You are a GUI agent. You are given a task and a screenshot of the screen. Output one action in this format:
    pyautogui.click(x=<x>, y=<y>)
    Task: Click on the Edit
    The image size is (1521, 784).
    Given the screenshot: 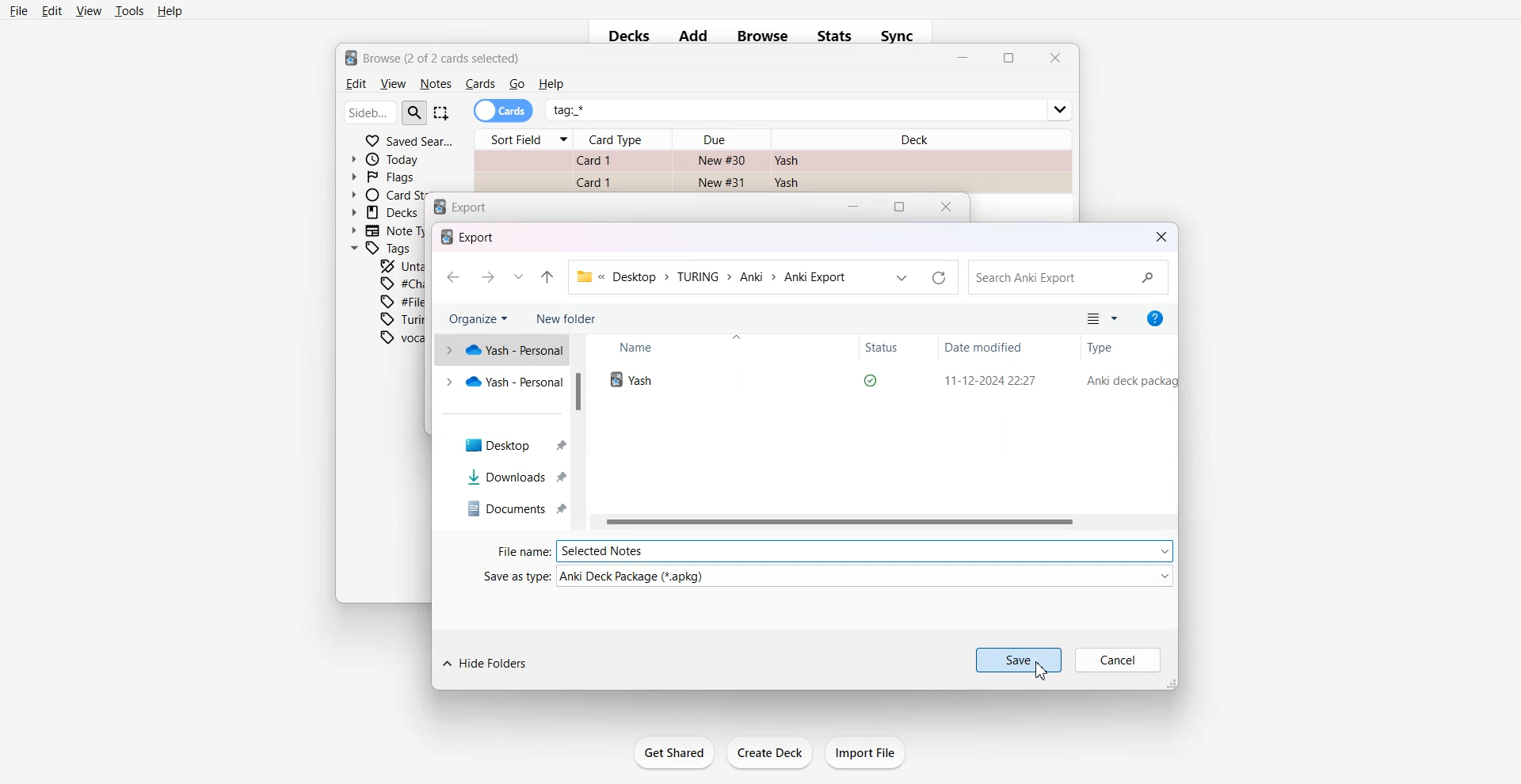 What is the action you would take?
    pyautogui.click(x=52, y=10)
    